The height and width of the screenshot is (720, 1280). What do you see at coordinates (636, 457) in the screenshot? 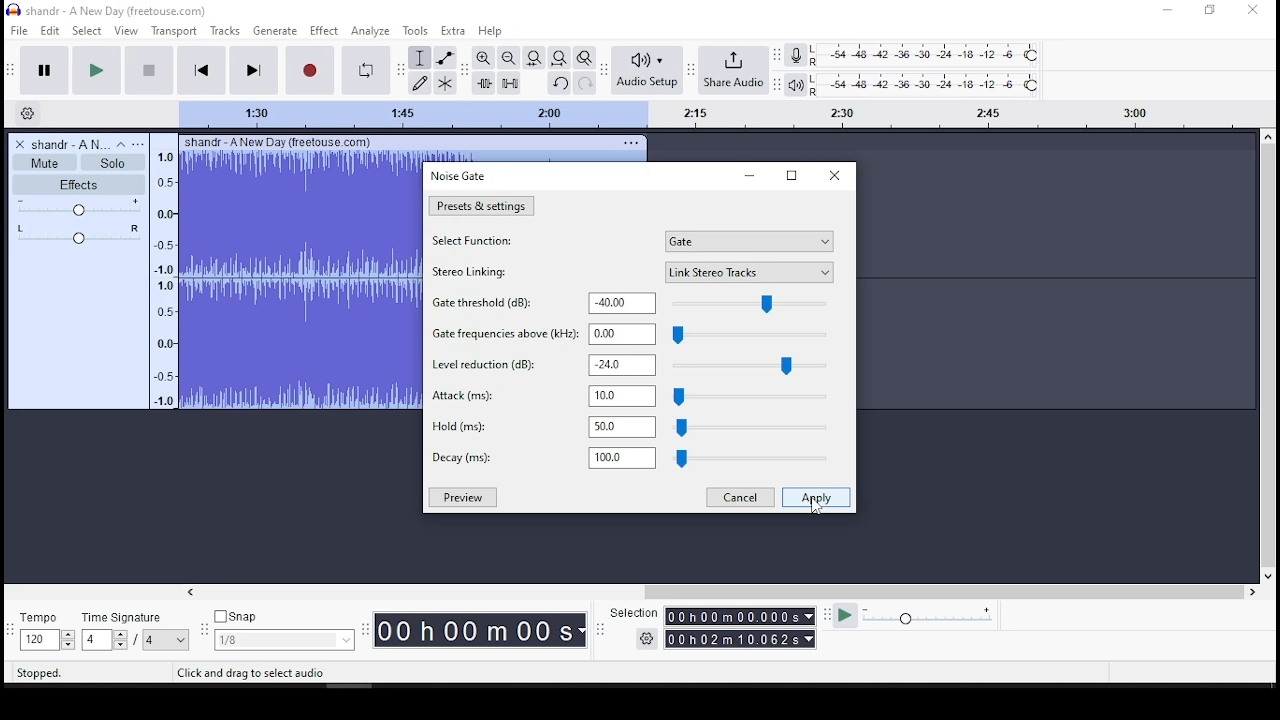
I see `decay` at bounding box center [636, 457].